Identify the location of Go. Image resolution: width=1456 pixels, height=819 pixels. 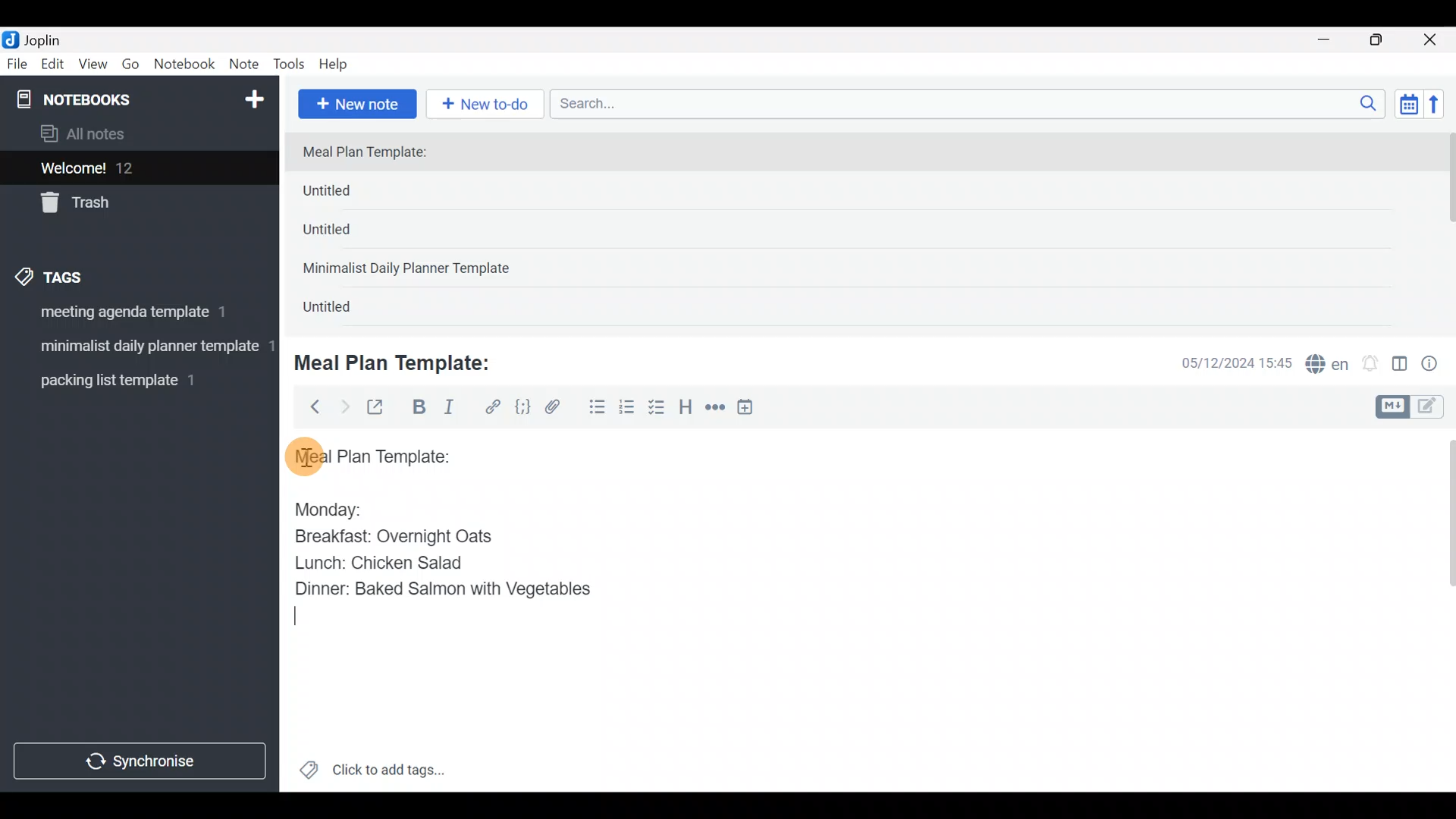
(130, 67).